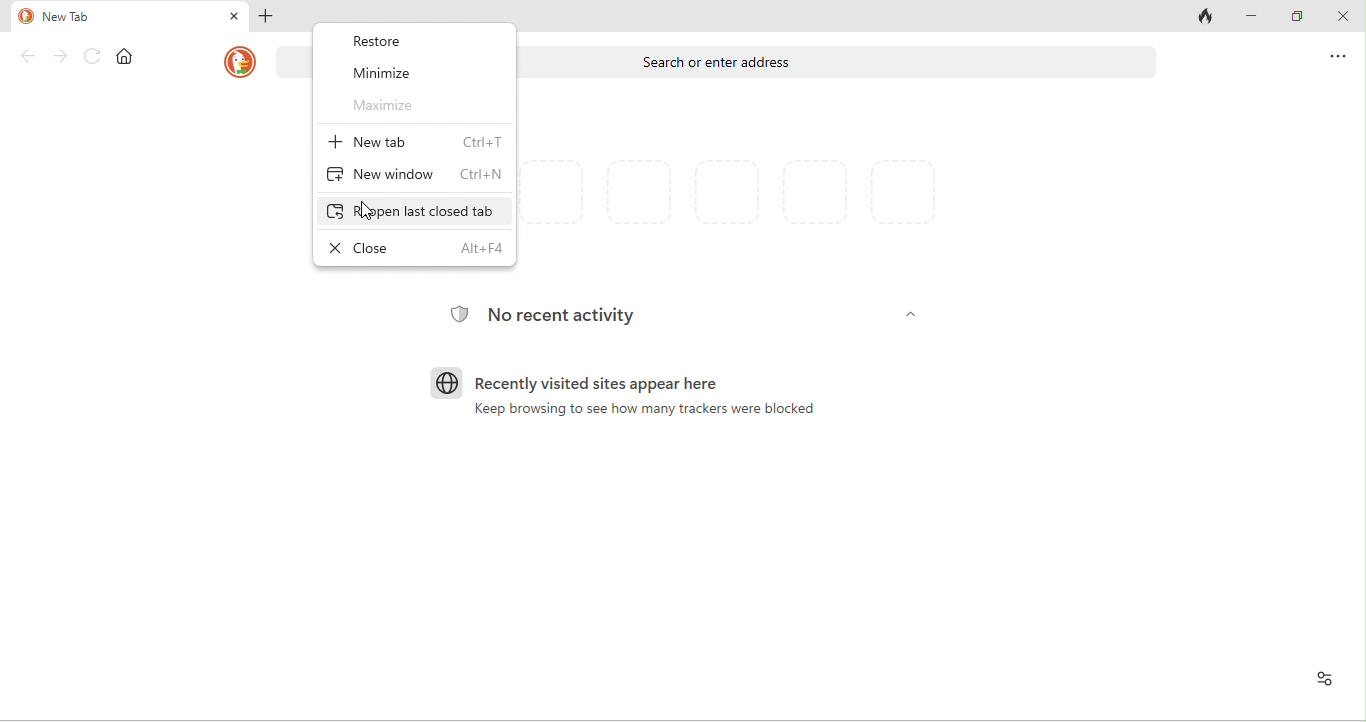 This screenshot has height=722, width=1366. Describe the element at coordinates (384, 42) in the screenshot. I see `restore` at that location.